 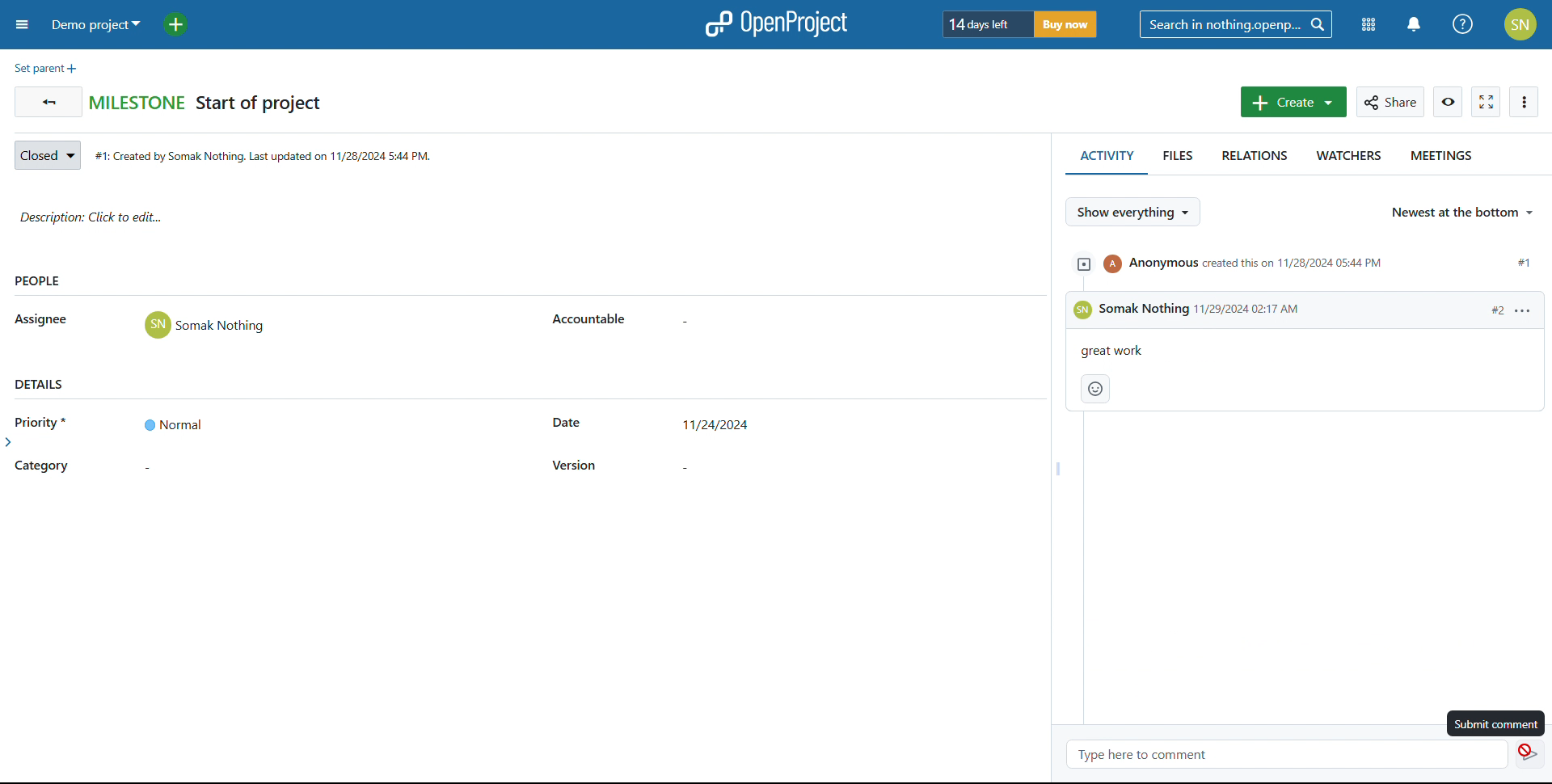 I want to click on priority, so click(x=47, y=421).